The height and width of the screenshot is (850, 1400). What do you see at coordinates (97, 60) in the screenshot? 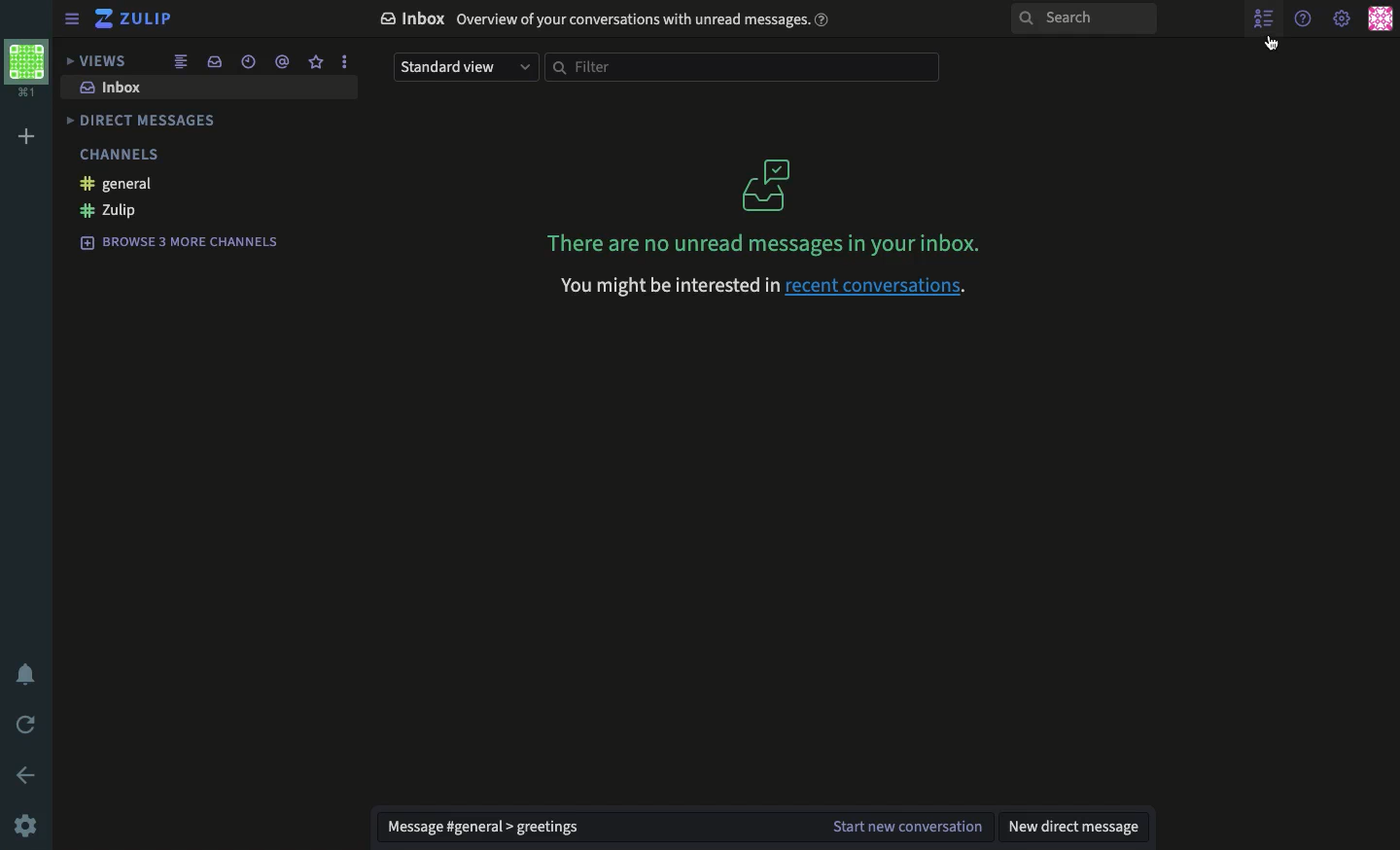
I see `views` at bounding box center [97, 60].